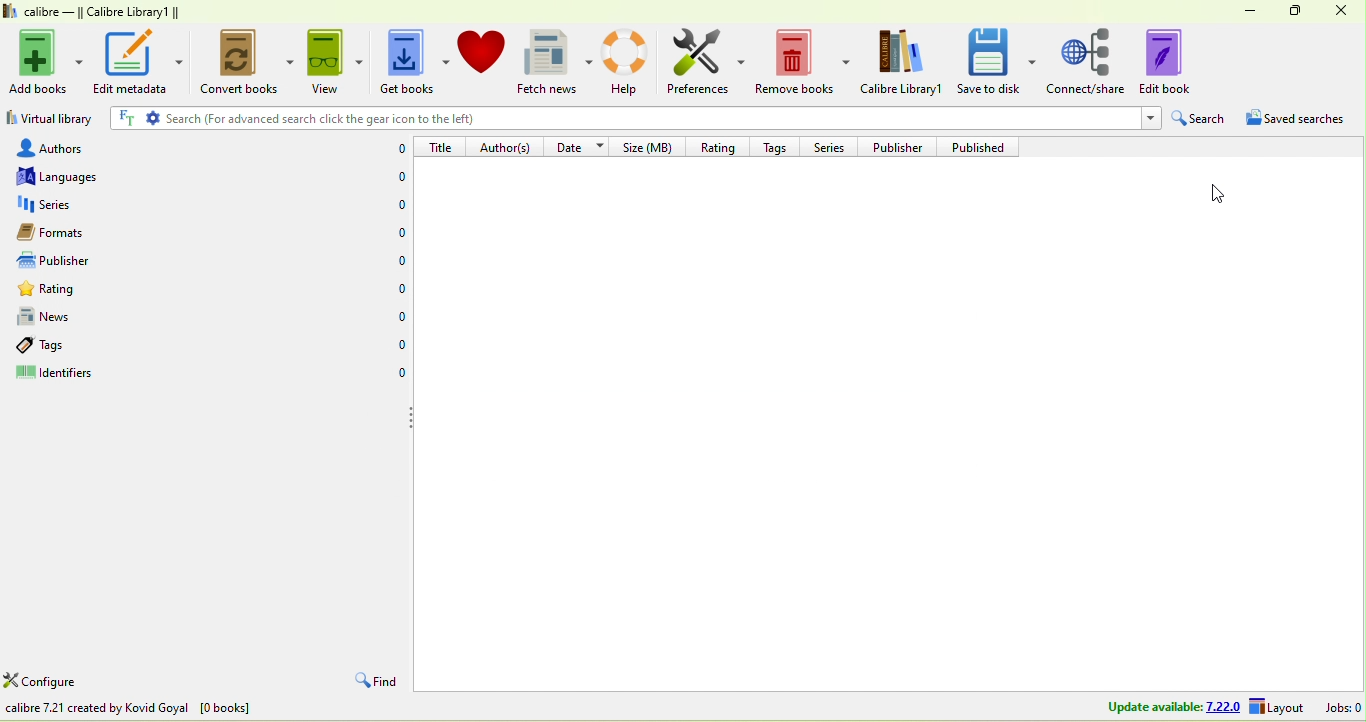 Image resolution: width=1366 pixels, height=722 pixels. Describe the element at coordinates (630, 61) in the screenshot. I see `help` at that location.